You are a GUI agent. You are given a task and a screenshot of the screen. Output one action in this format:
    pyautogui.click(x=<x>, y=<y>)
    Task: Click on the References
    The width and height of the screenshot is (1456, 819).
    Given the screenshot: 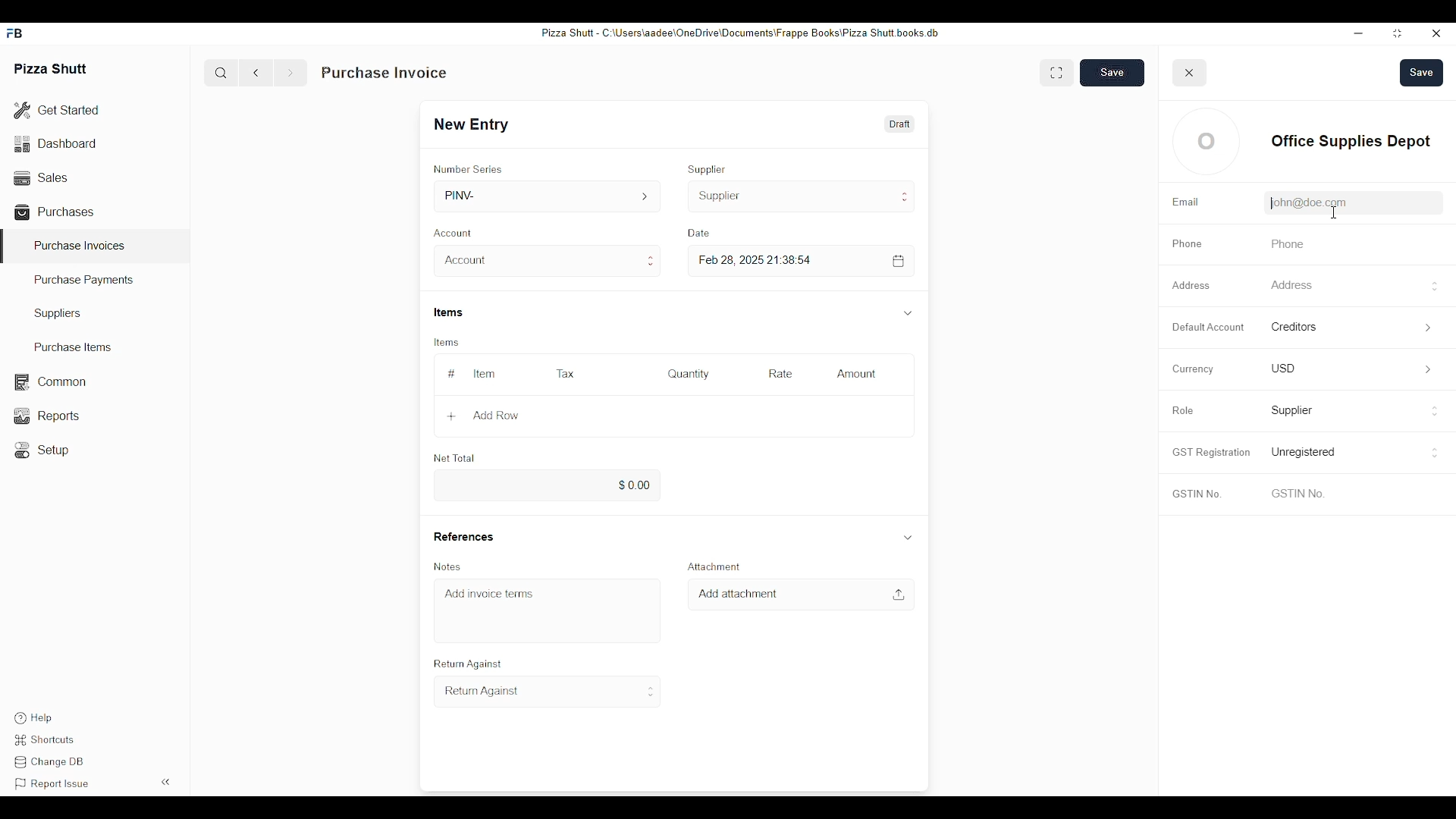 What is the action you would take?
    pyautogui.click(x=463, y=536)
    